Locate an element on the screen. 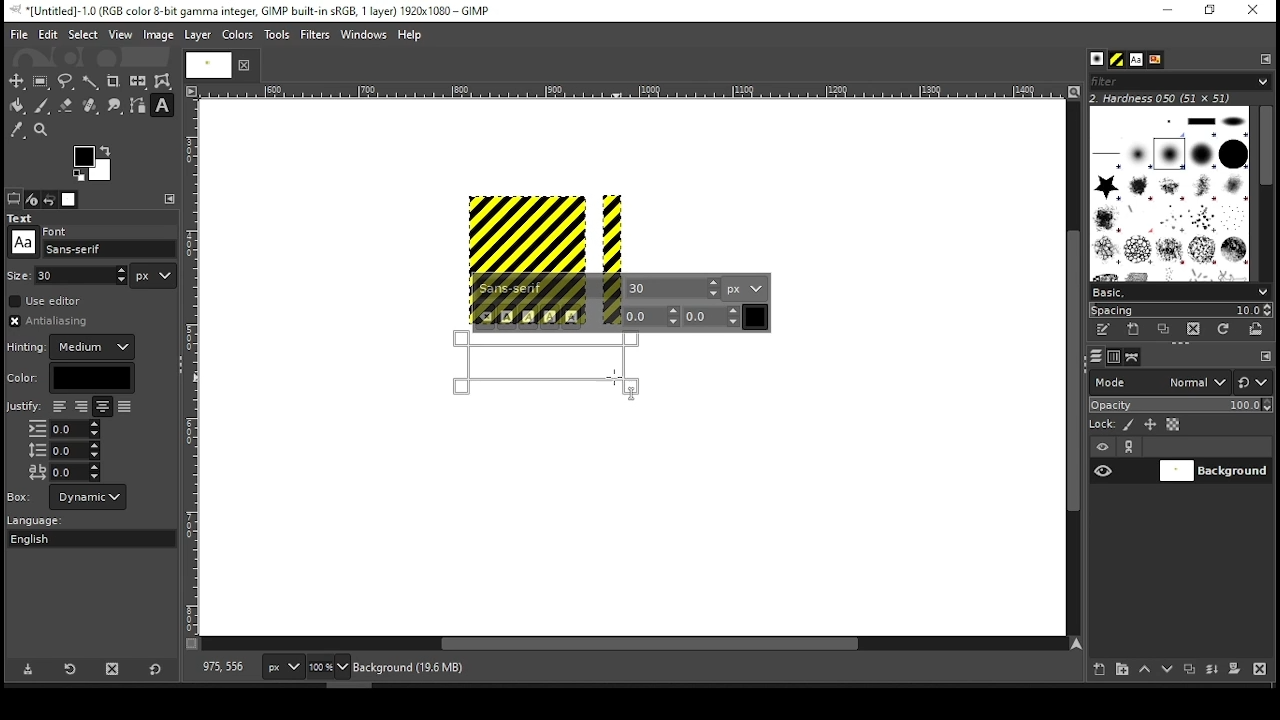  italics is located at coordinates (528, 317).